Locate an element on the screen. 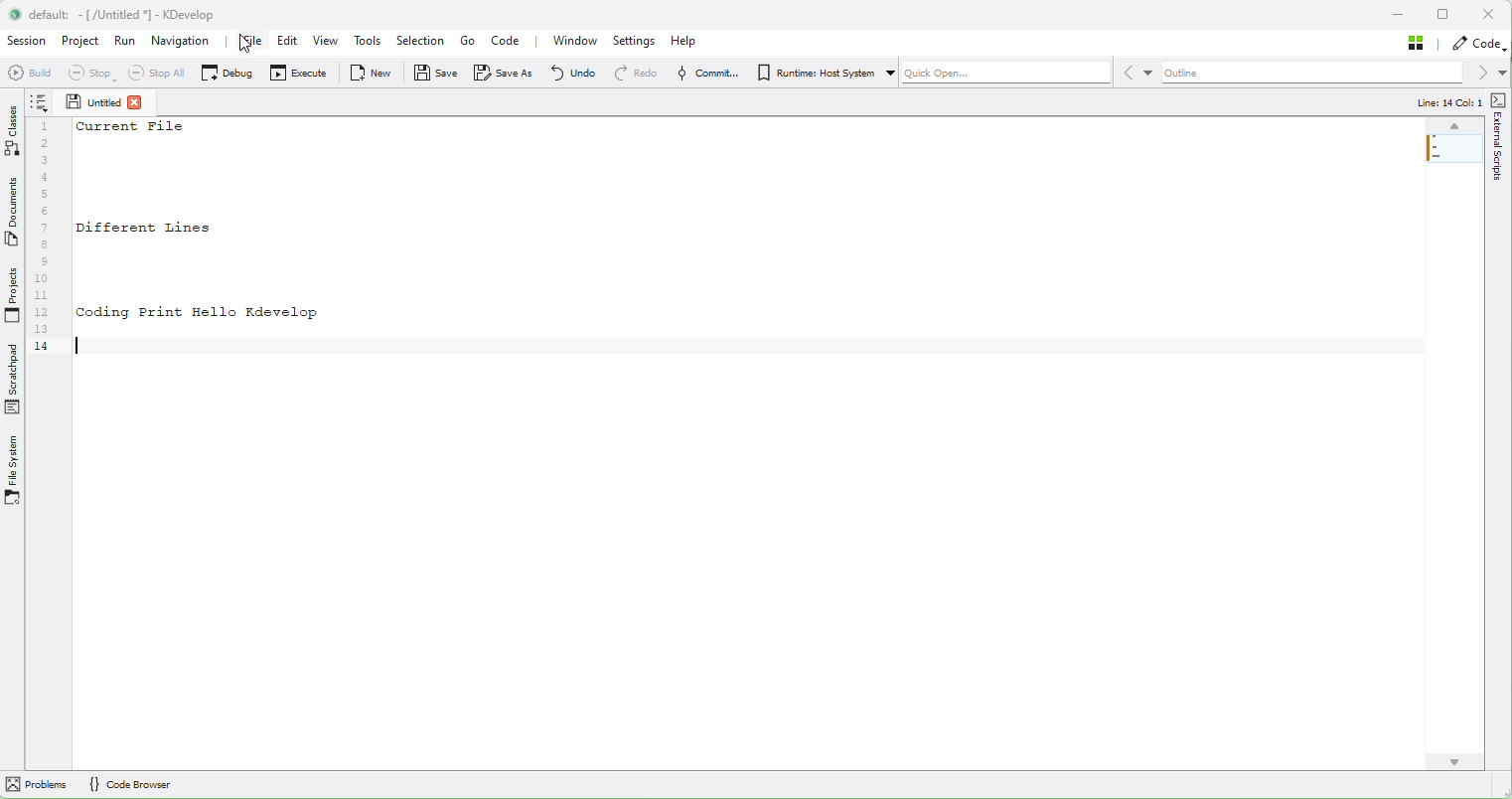 The image size is (1512, 799). redo is located at coordinates (632, 75).